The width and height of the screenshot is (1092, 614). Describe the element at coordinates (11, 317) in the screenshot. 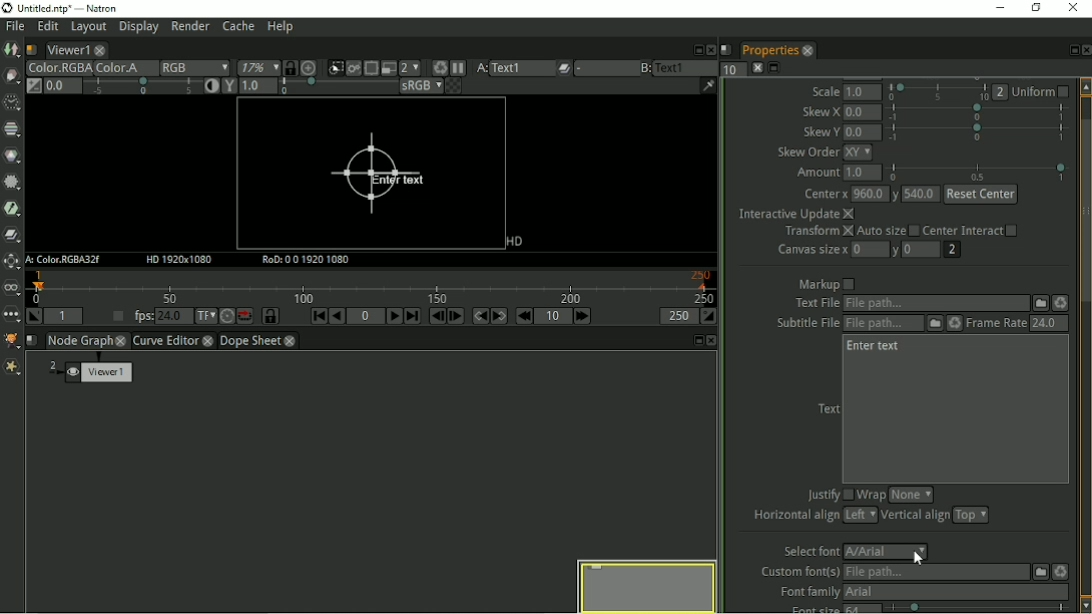

I see `Other` at that location.